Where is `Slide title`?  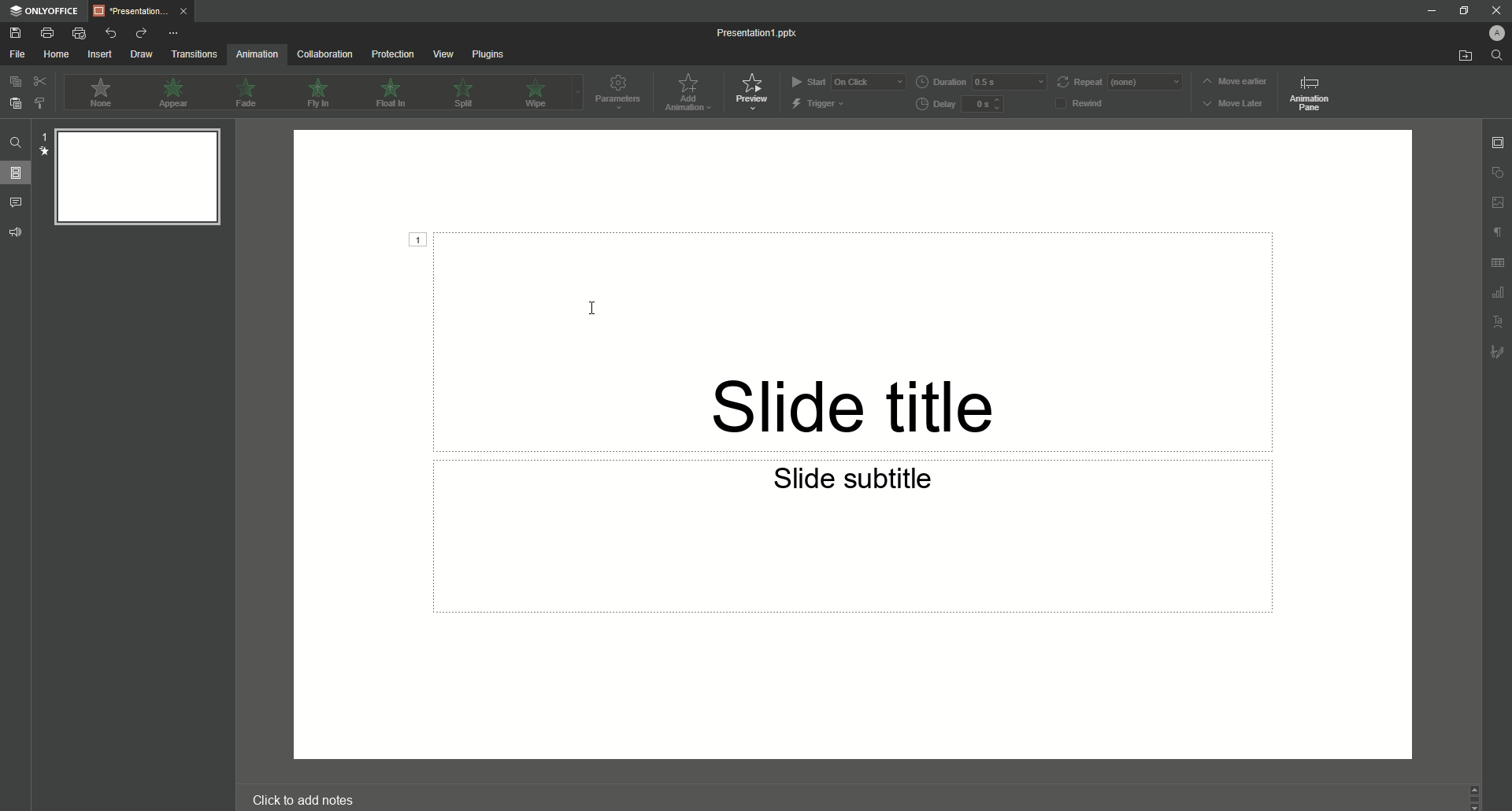 Slide title is located at coordinates (853, 387).